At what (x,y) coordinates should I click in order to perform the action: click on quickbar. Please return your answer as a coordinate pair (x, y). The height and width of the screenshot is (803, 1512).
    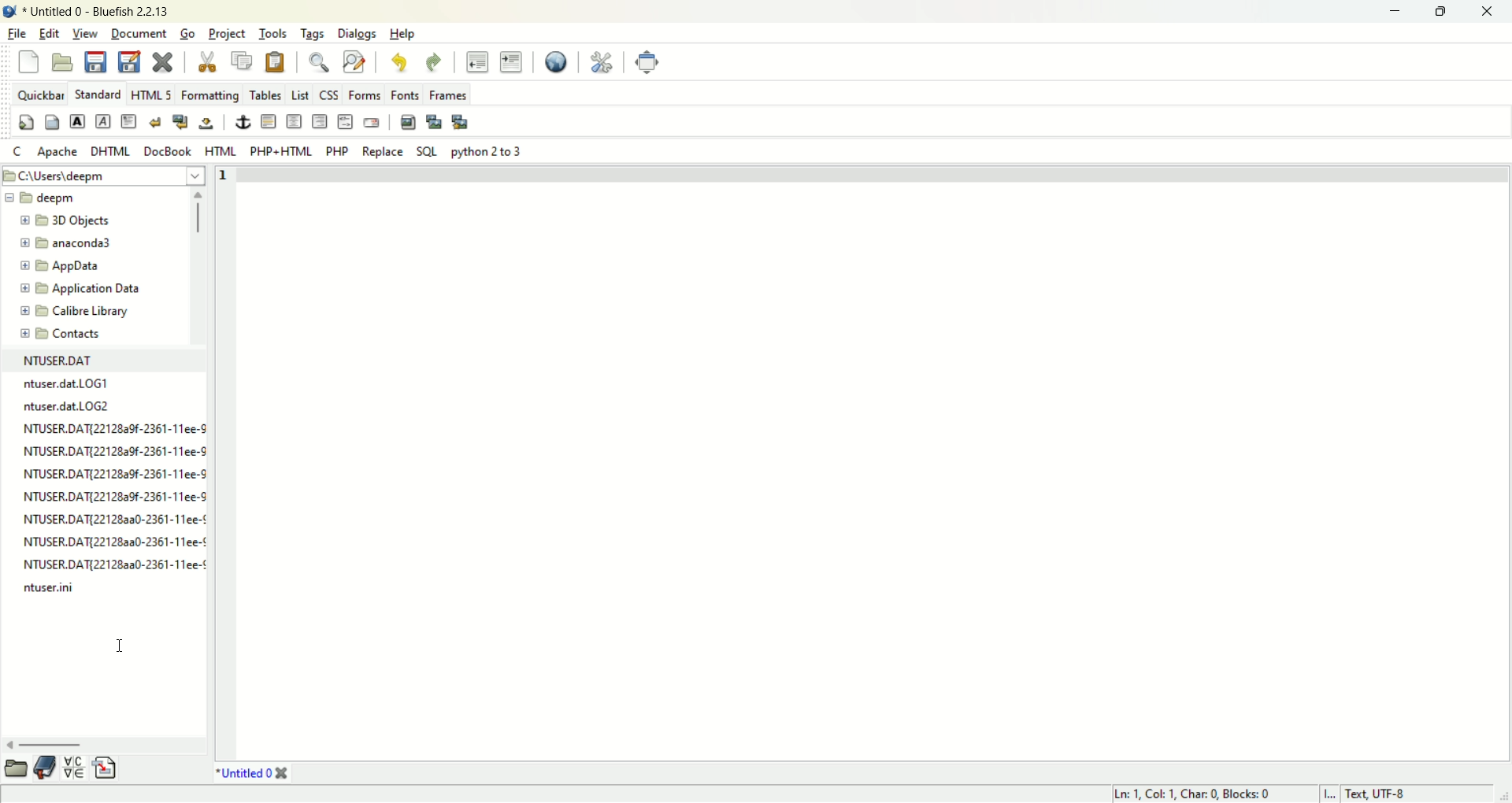
    Looking at the image, I should click on (39, 94).